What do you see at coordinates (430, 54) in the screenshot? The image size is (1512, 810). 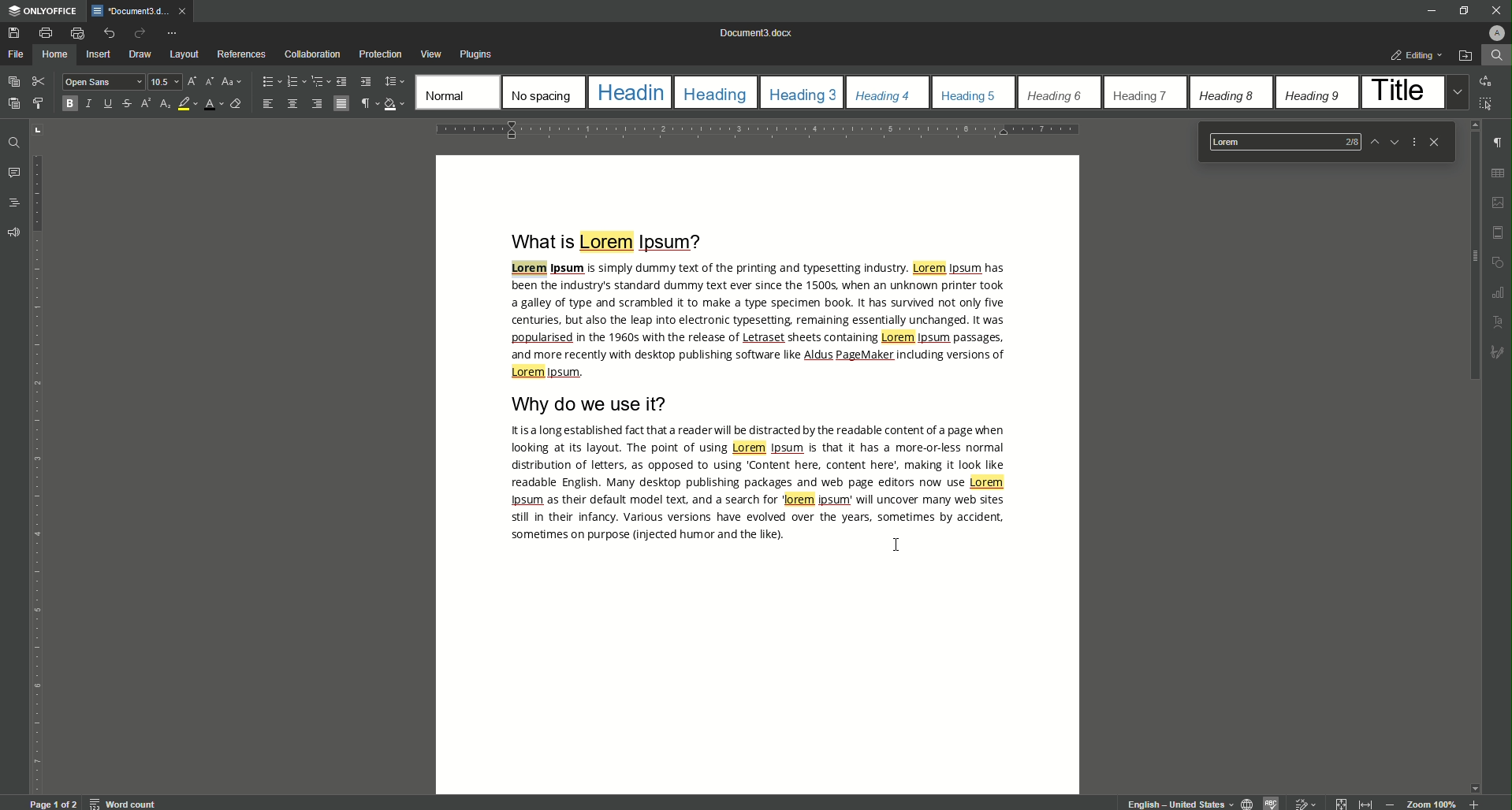 I see `View` at bounding box center [430, 54].